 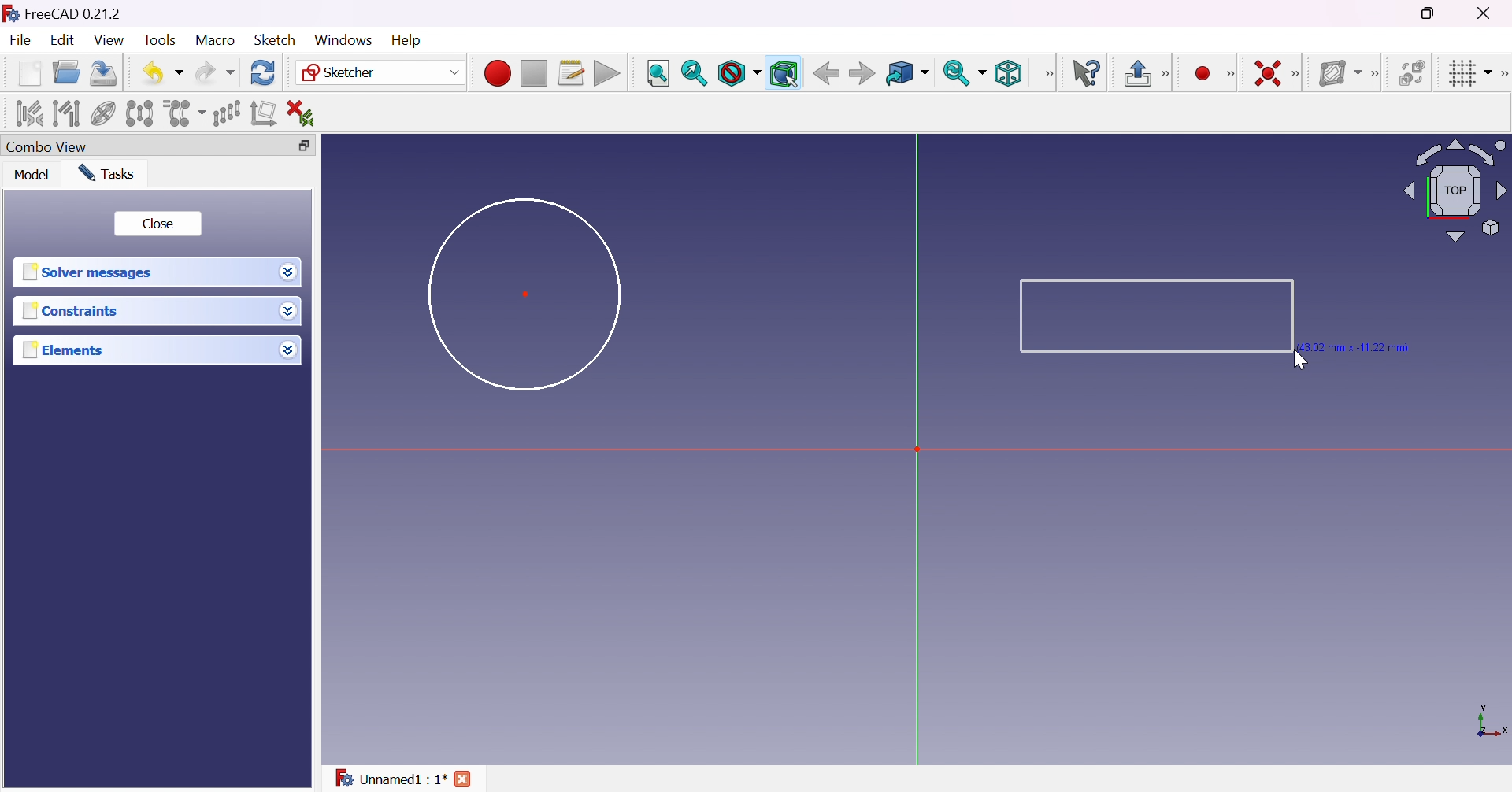 I want to click on Tasks, so click(x=106, y=172).